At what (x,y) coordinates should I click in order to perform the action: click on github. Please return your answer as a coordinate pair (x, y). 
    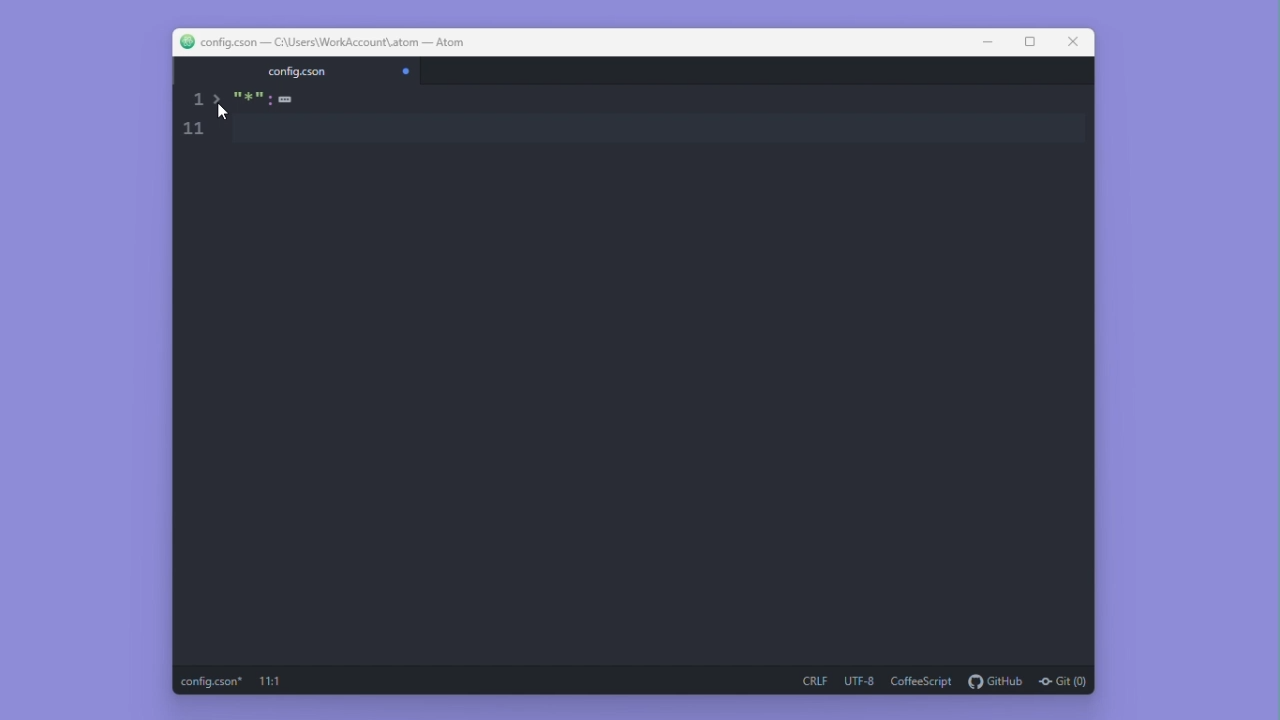
    Looking at the image, I should click on (997, 682).